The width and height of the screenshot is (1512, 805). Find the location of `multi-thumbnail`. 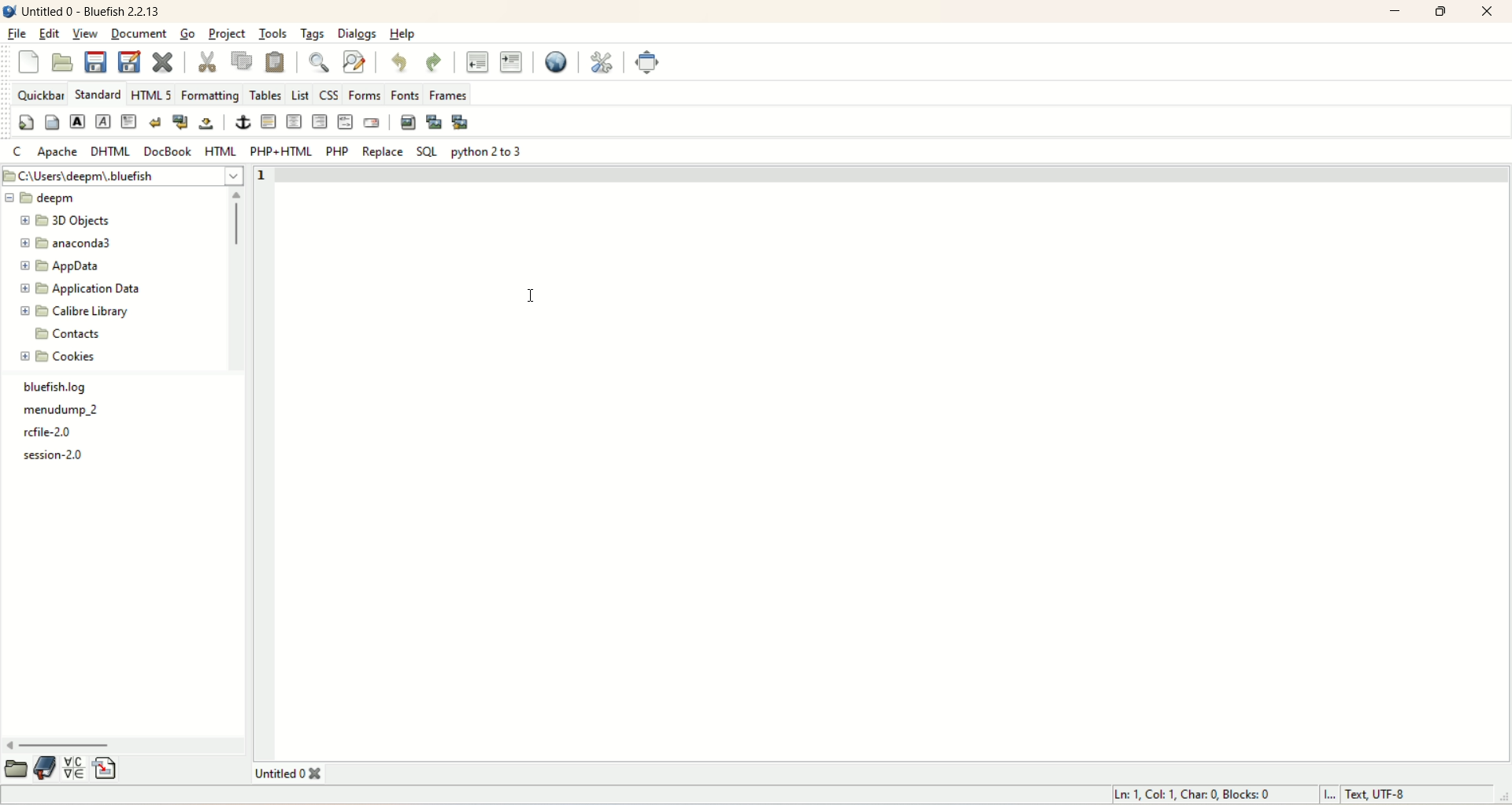

multi-thumbnail is located at coordinates (464, 122).